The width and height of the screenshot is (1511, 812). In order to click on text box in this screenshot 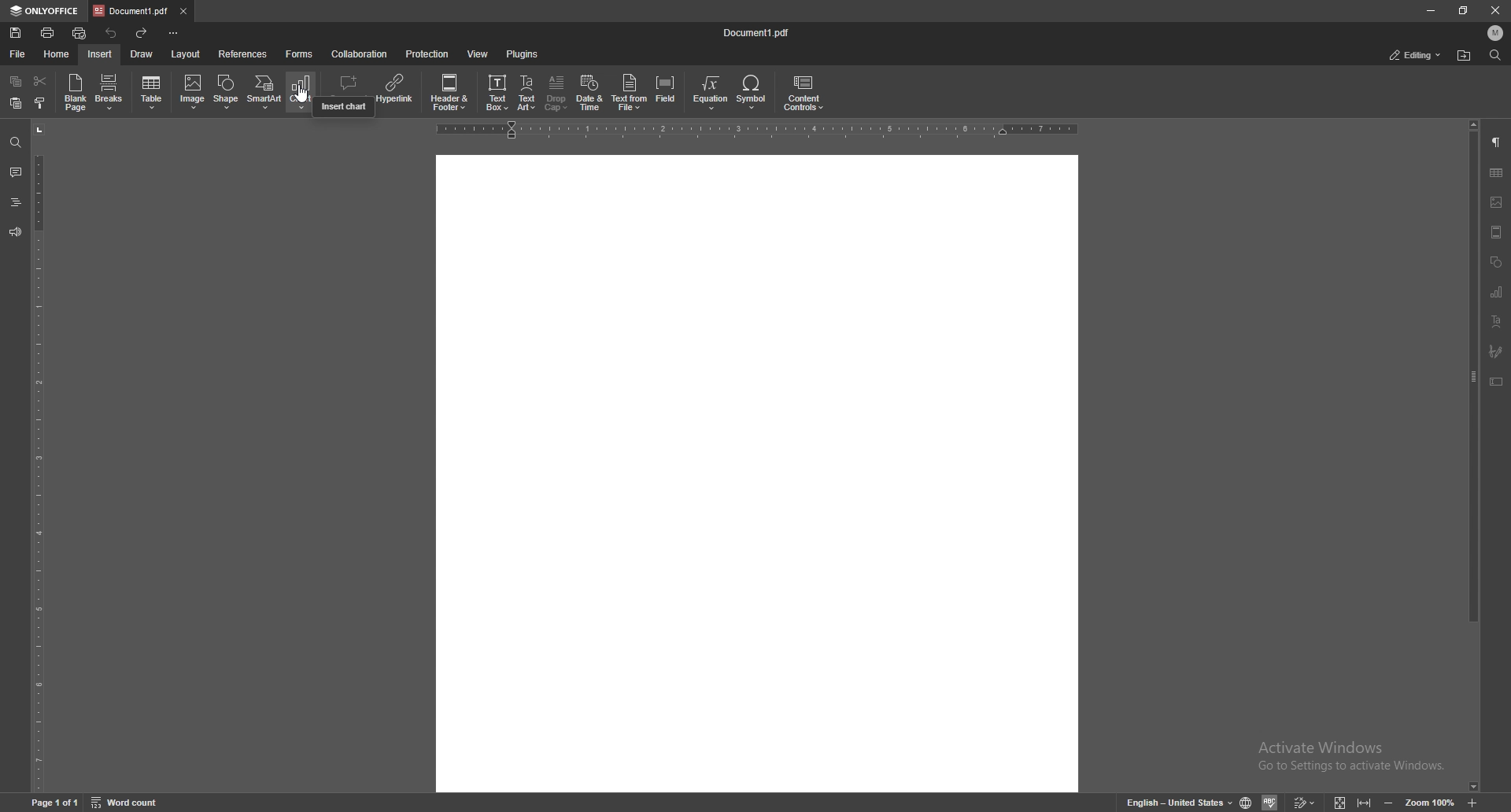, I will do `click(1496, 382)`.